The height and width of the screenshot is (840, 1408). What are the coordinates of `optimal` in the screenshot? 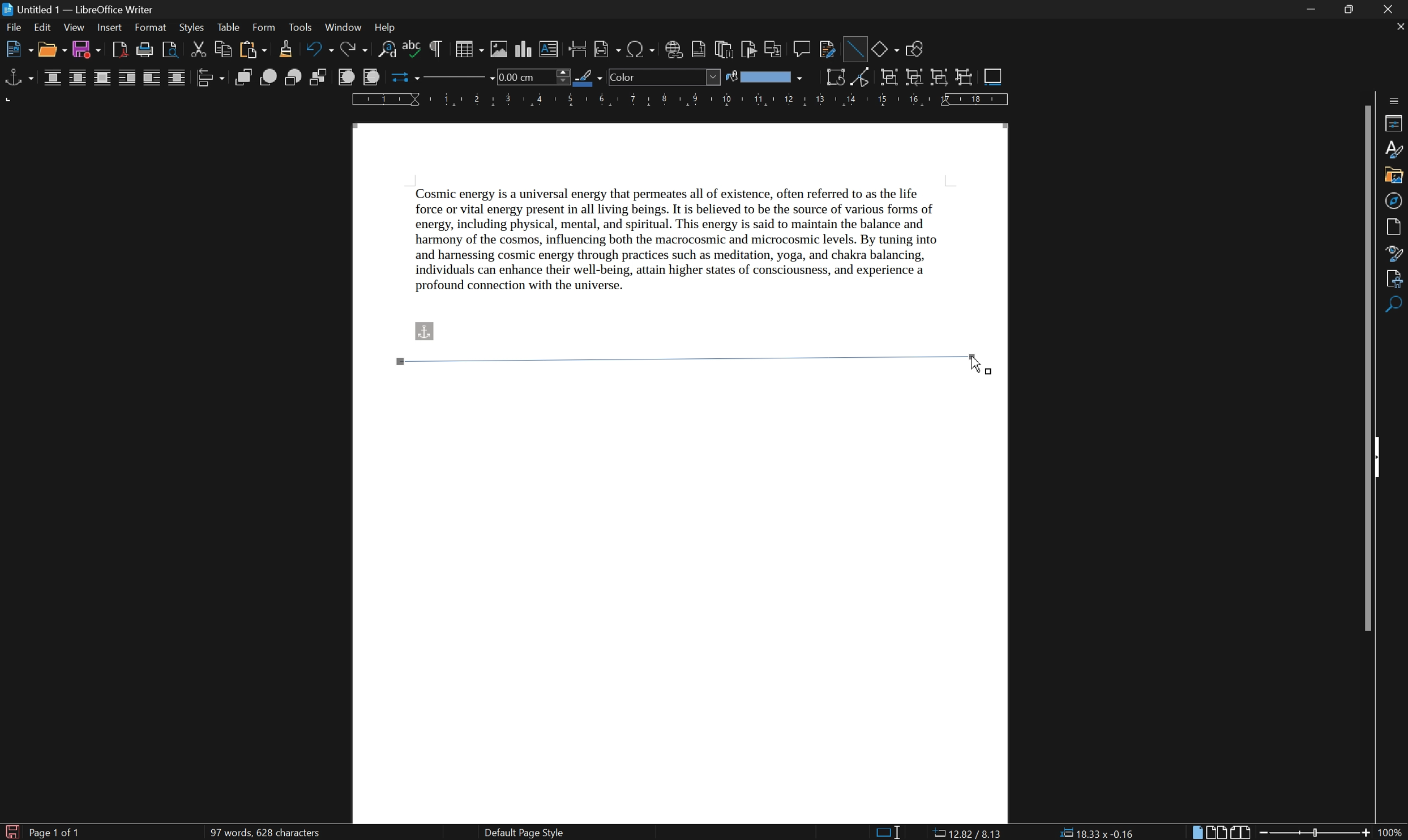 It's located at (101, 79).